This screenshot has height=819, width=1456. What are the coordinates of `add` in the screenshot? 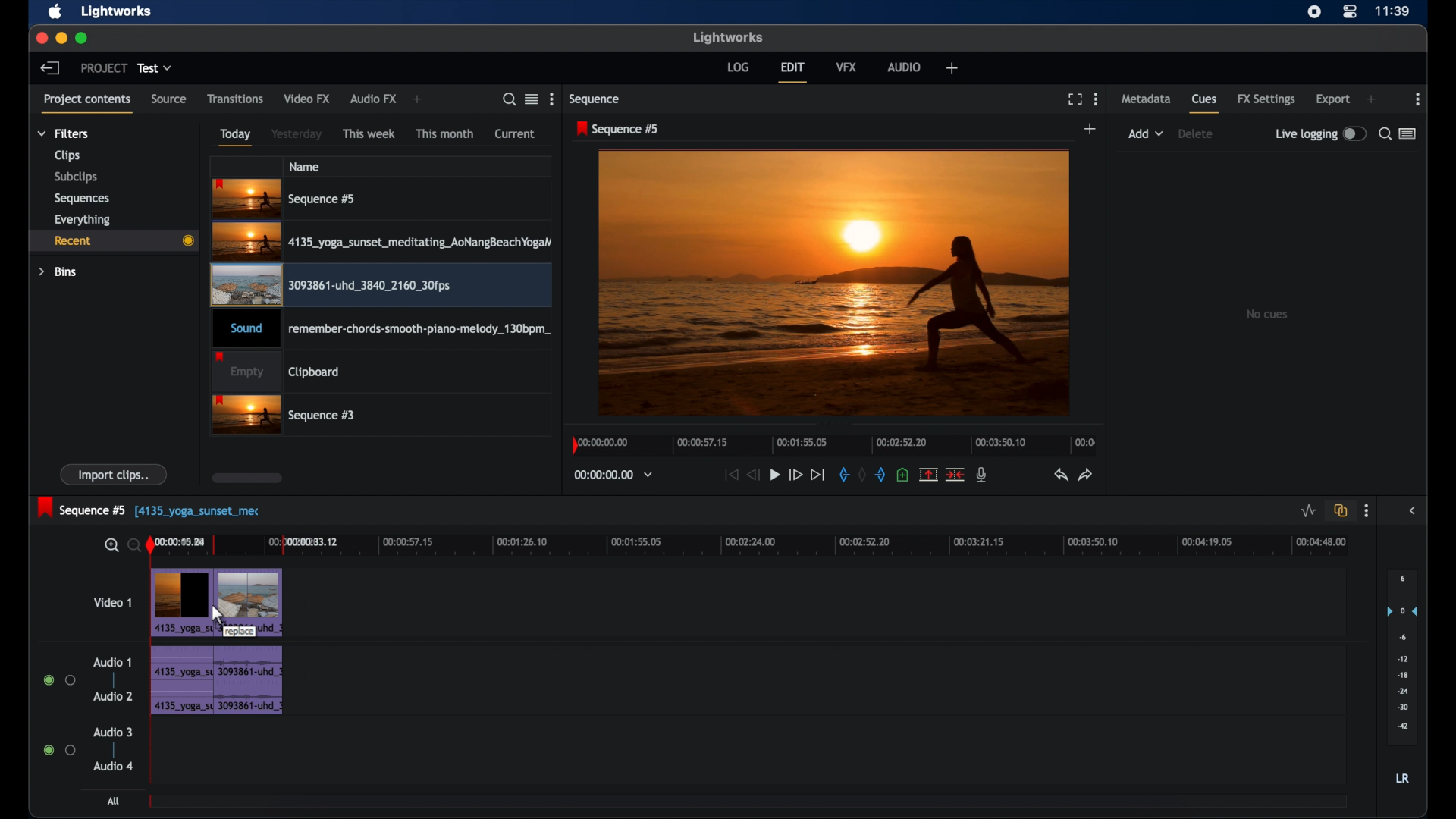 It's located at (417, 99).